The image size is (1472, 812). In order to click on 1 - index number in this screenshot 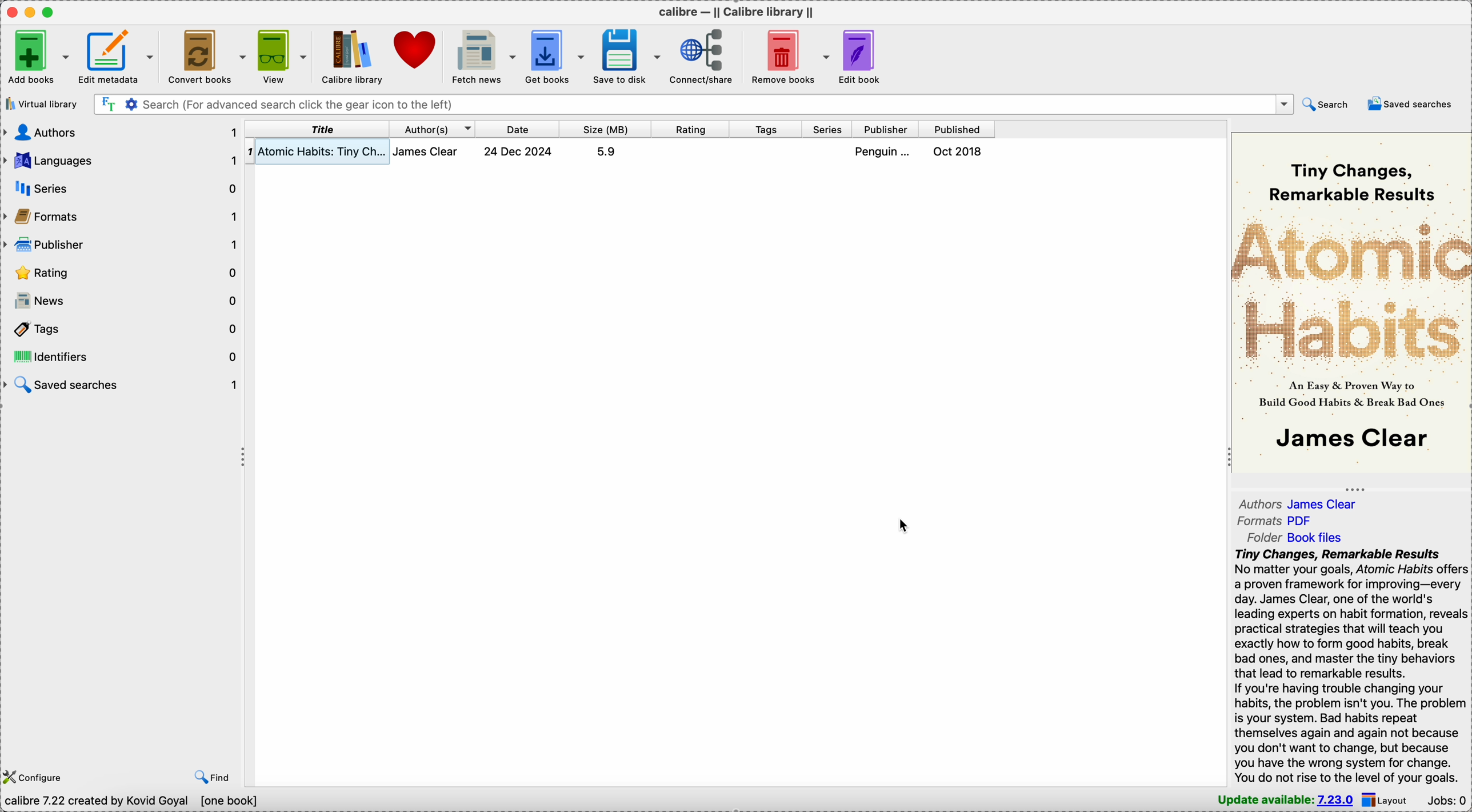, I will do `click(250, 151)`.